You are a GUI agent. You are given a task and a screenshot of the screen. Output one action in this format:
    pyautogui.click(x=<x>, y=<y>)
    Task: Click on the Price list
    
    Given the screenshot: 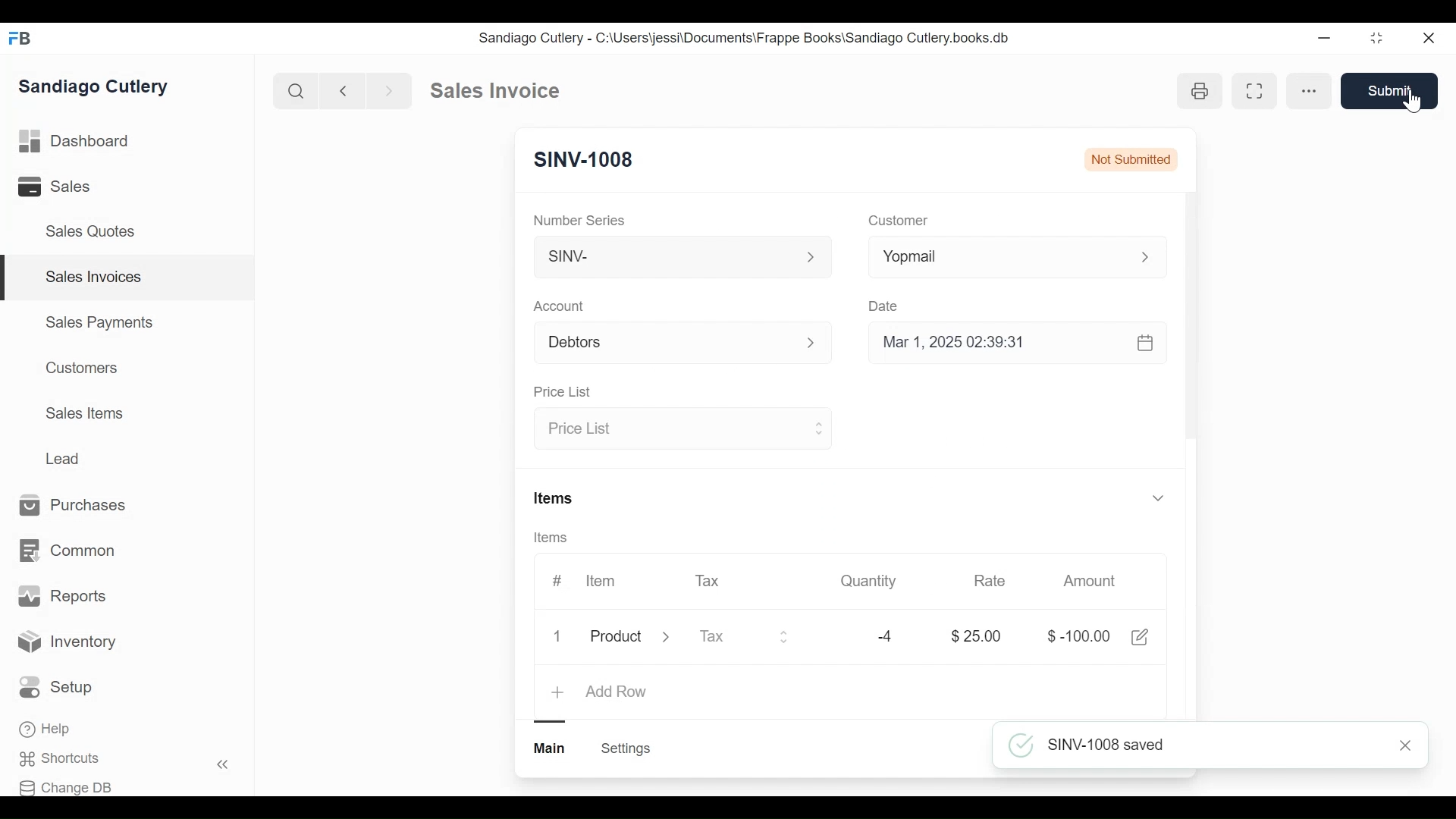 What is the action you would take?
    pyautogui.click(x=563, y=391)
    